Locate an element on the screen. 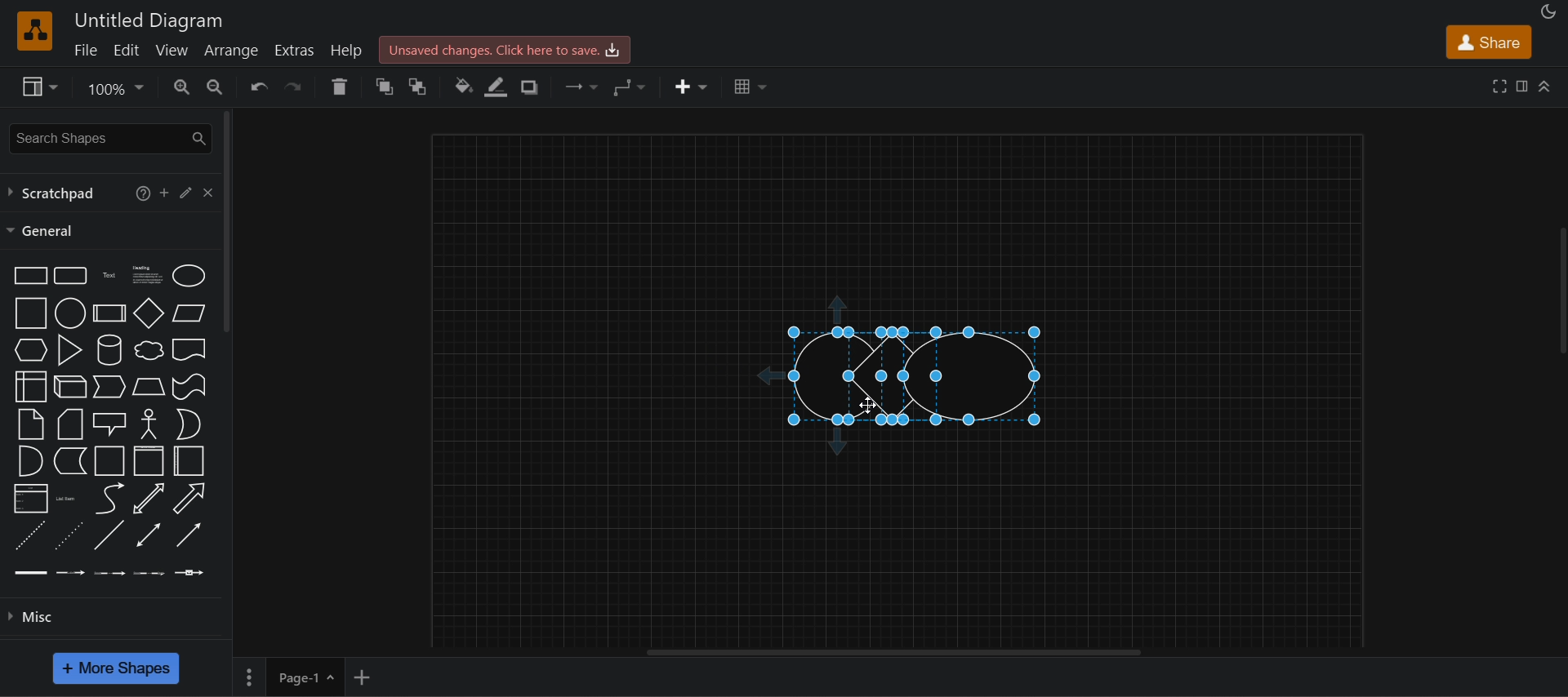 This screenshot has width=1568, height=697. card is located at coordinates (69, 424).